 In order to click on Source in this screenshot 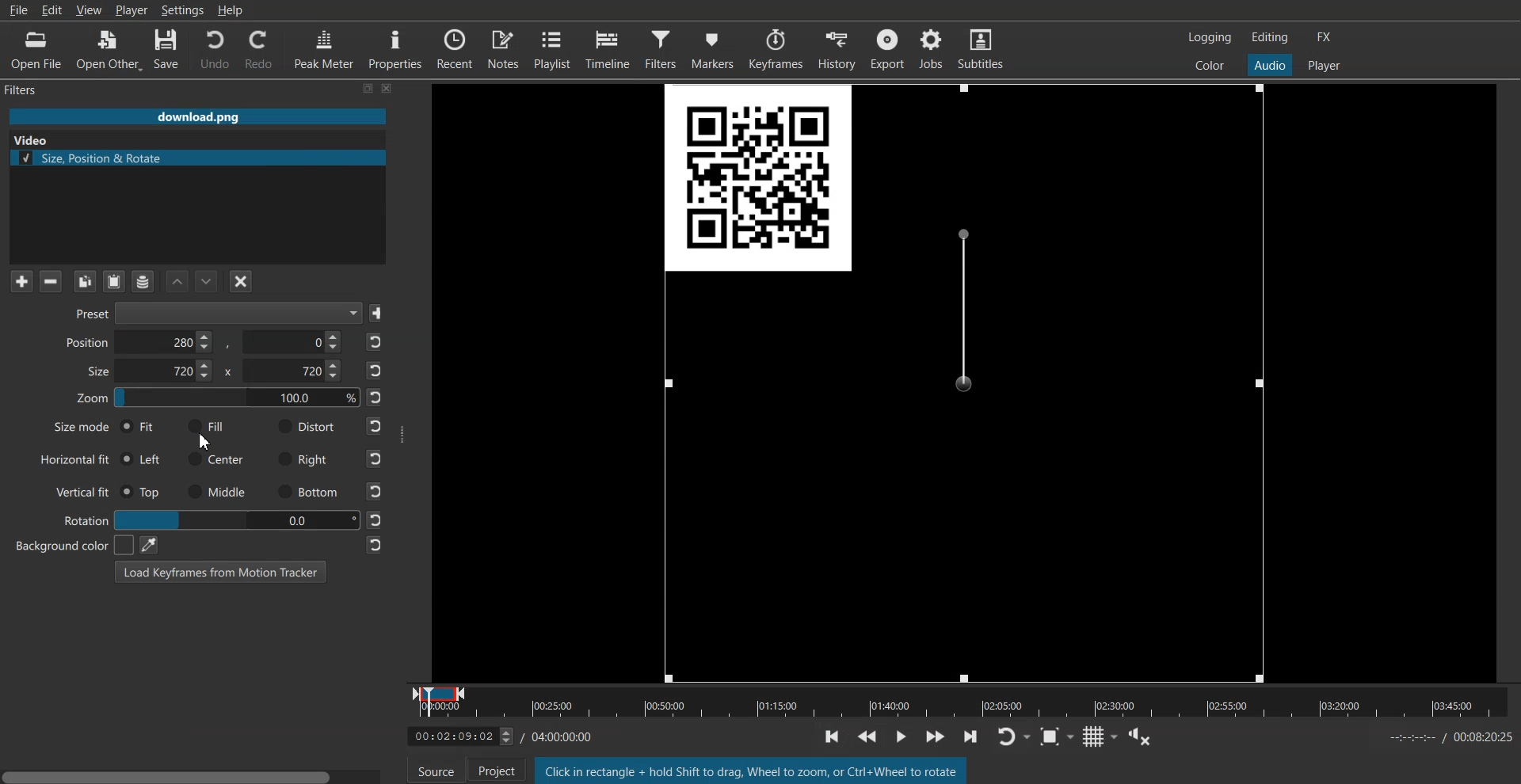, I will do `click(436, 772)`.